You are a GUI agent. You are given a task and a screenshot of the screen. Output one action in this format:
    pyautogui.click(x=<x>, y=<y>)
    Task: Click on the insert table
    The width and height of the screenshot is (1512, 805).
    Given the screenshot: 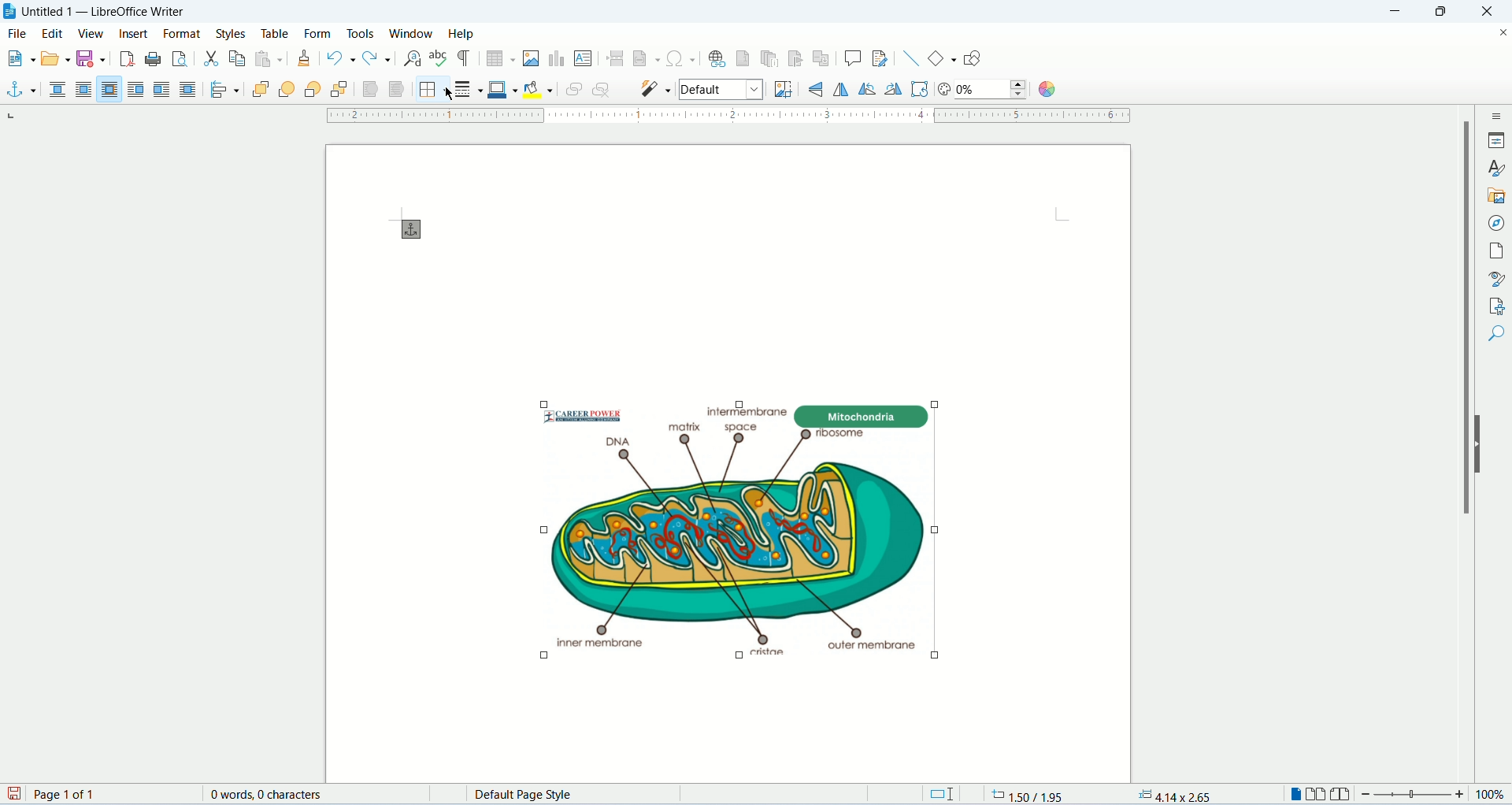 What is the action you would take?
    pyautogui.click(x=501, y=59)
    